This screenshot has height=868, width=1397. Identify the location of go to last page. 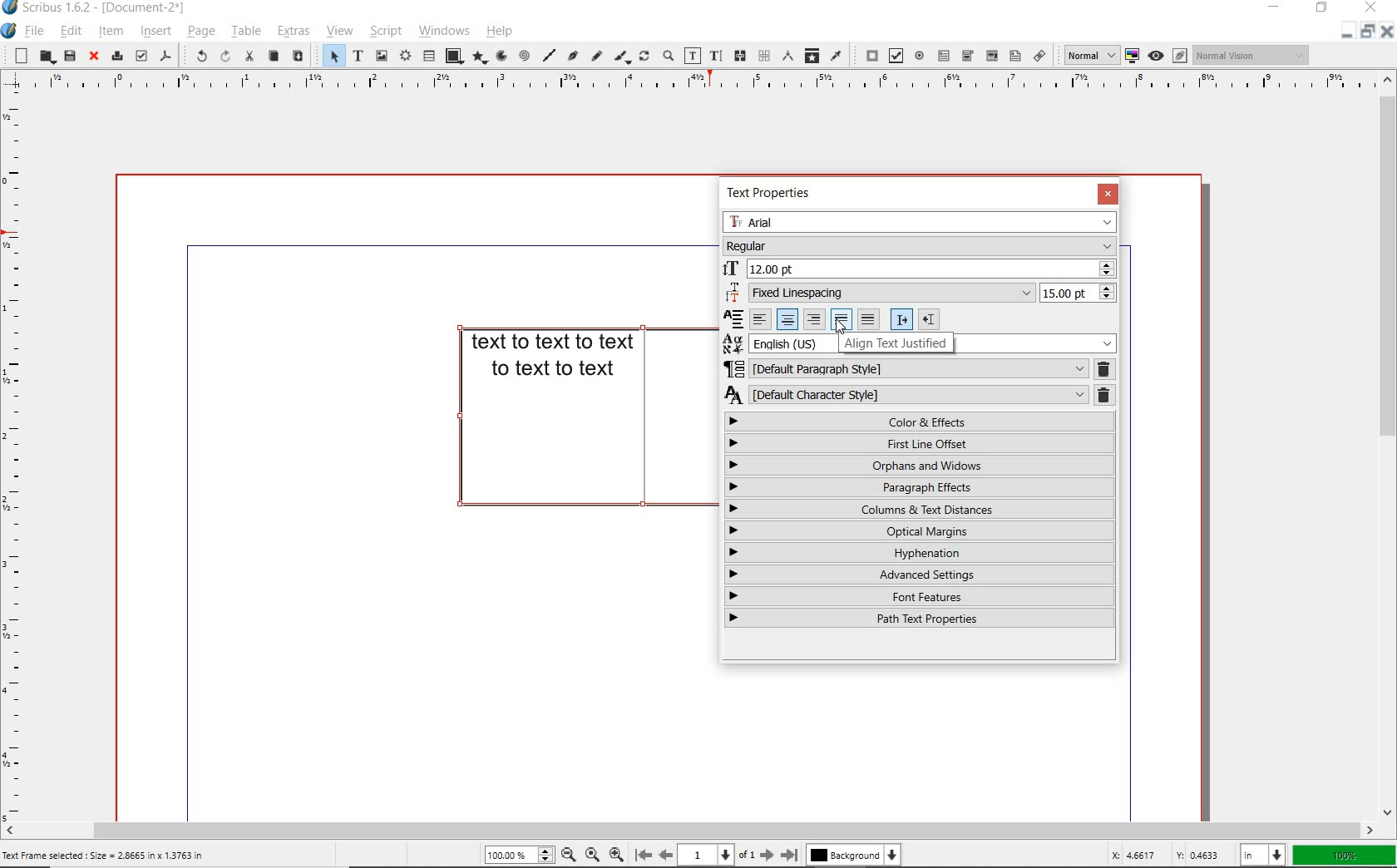
(790, 852).